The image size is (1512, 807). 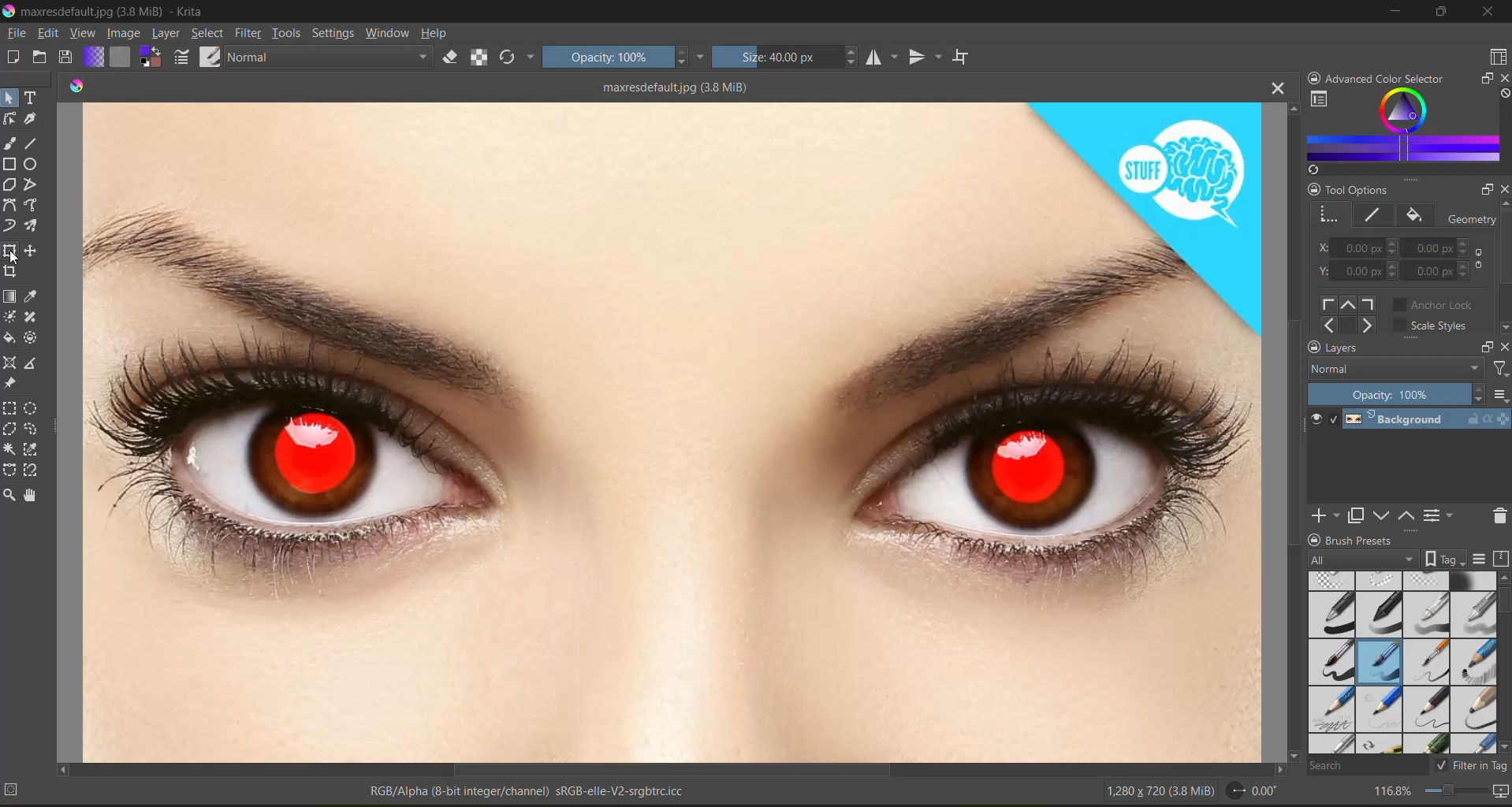 What do you see at coordinates (209, 57) in the screenshot?
I see `choose brush preset` at bounding box center [209, 57].